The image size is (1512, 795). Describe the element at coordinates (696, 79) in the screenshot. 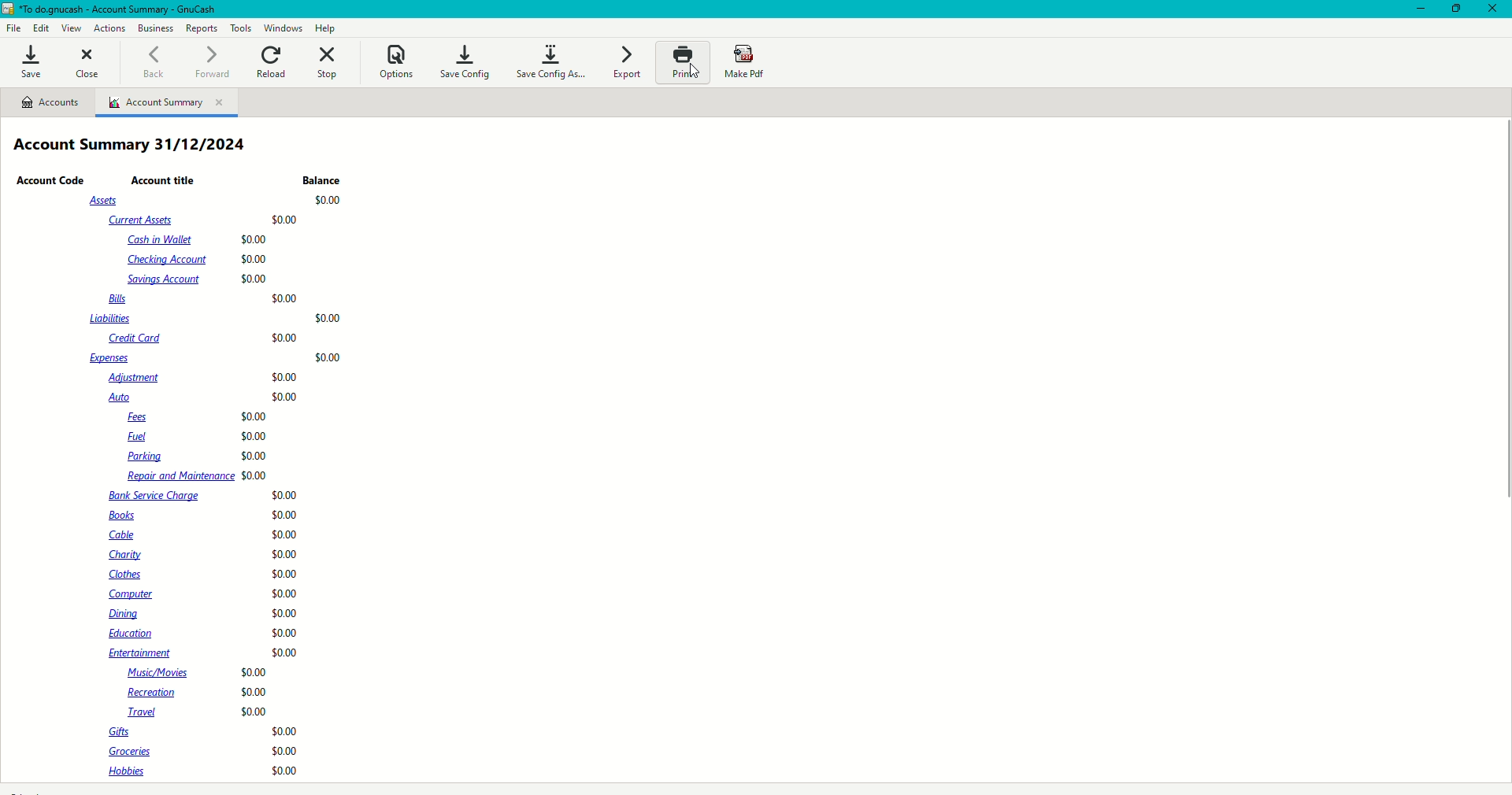

I see `cursor` at that location.